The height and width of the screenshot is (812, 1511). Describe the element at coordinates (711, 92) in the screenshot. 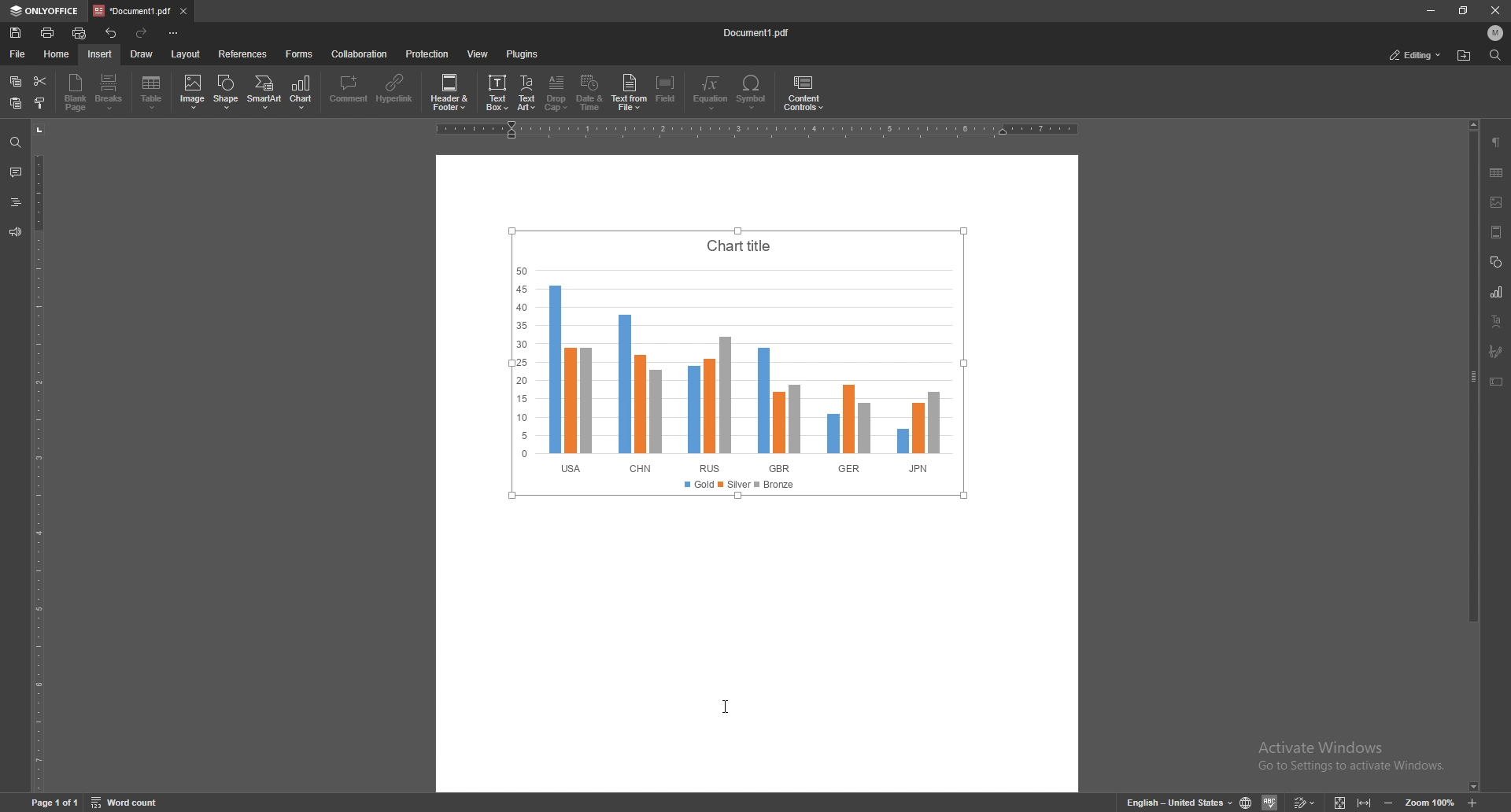

I see `equation` at that location.